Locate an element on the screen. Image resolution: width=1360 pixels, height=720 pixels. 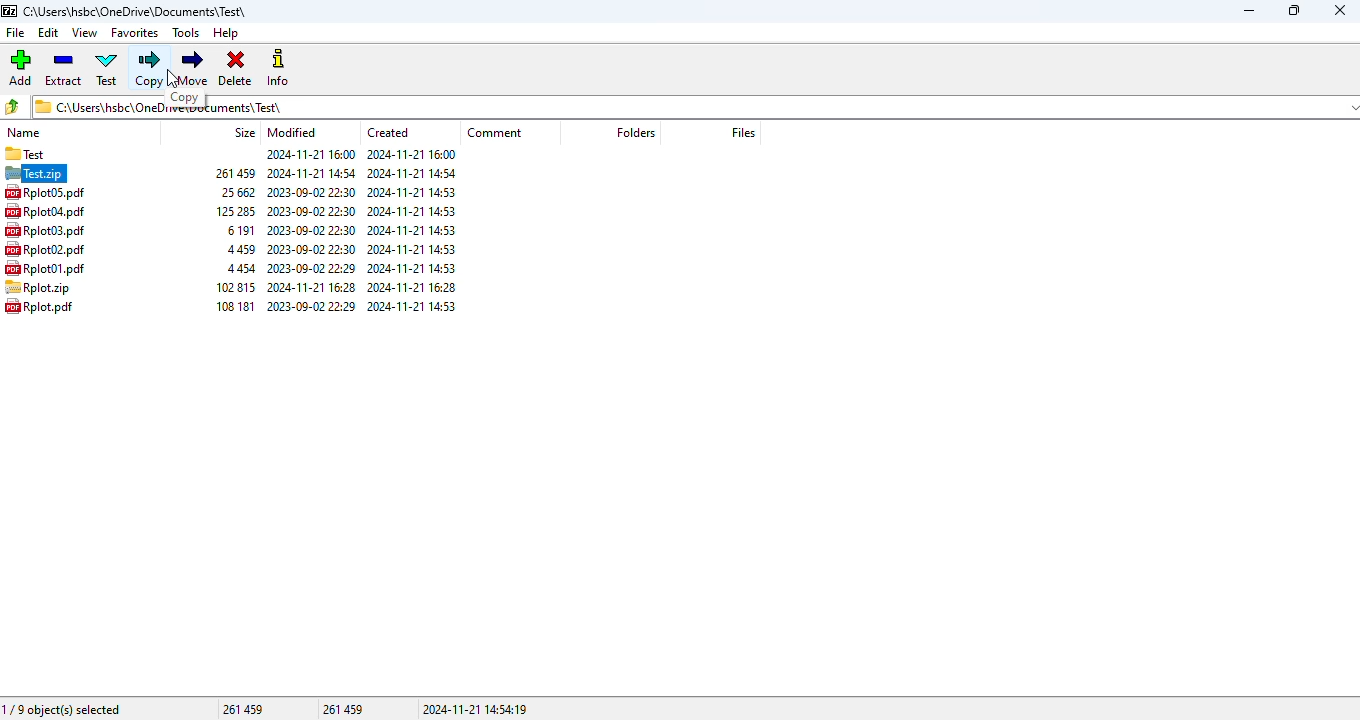
2024-11-21 14:54:19 is located at coordinates (475, 709).